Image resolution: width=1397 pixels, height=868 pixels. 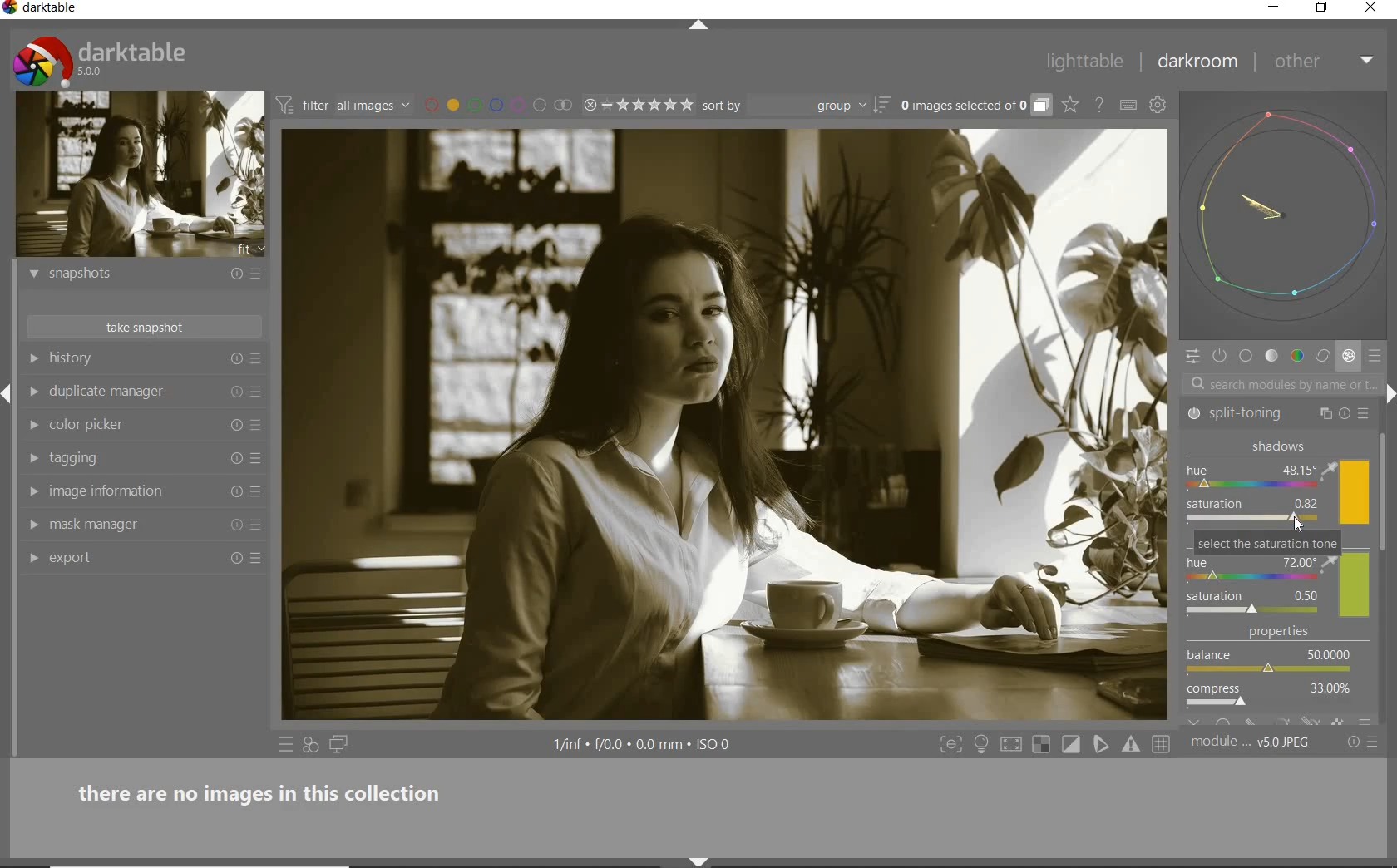 I want to click on Toggle gamut checking, so click(x=1130, y=745).